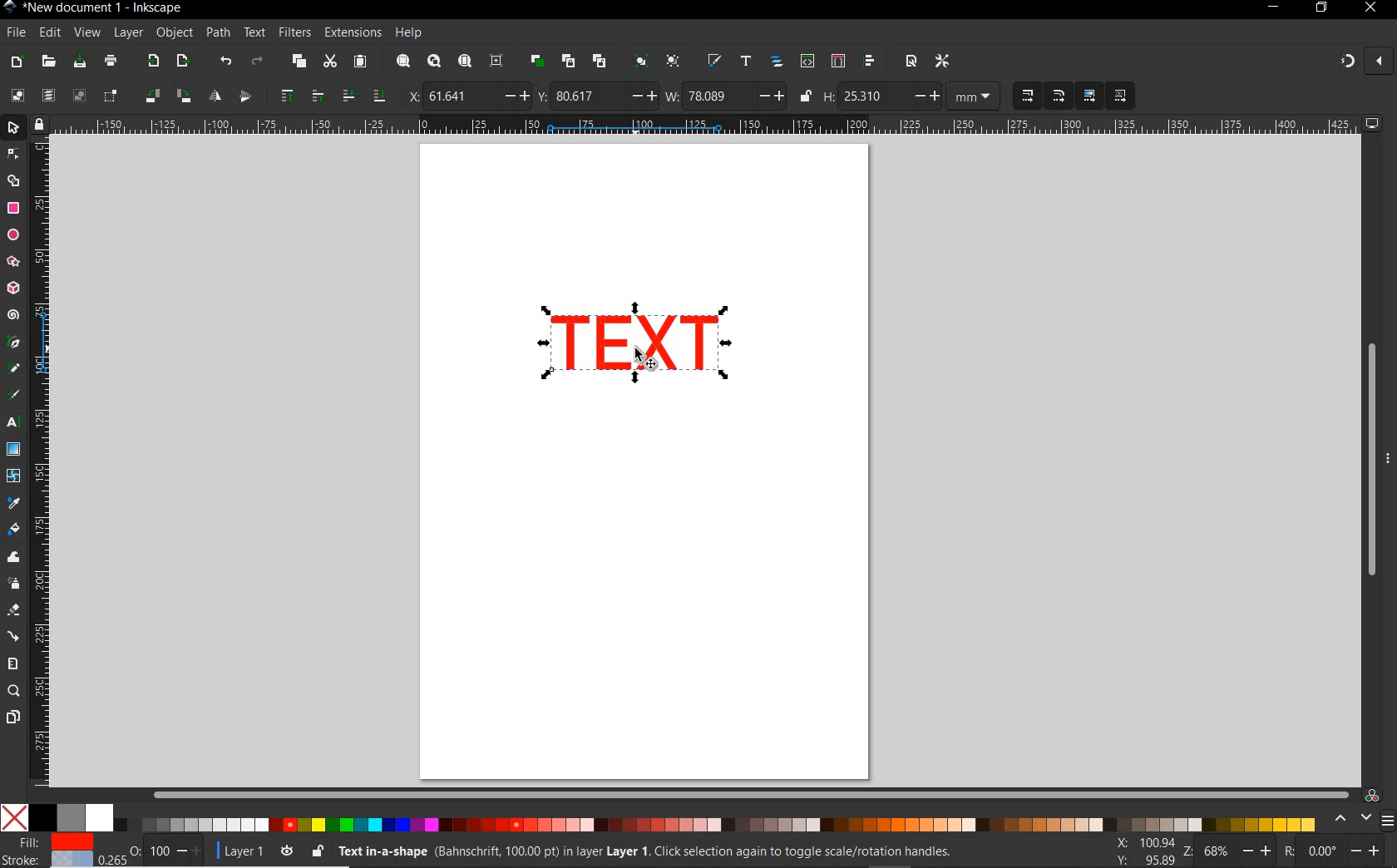 This screenshot has width=1397, height=868. Describe the element at coordinates (659, 819) in the screenshot. I see `color palette` at that location.